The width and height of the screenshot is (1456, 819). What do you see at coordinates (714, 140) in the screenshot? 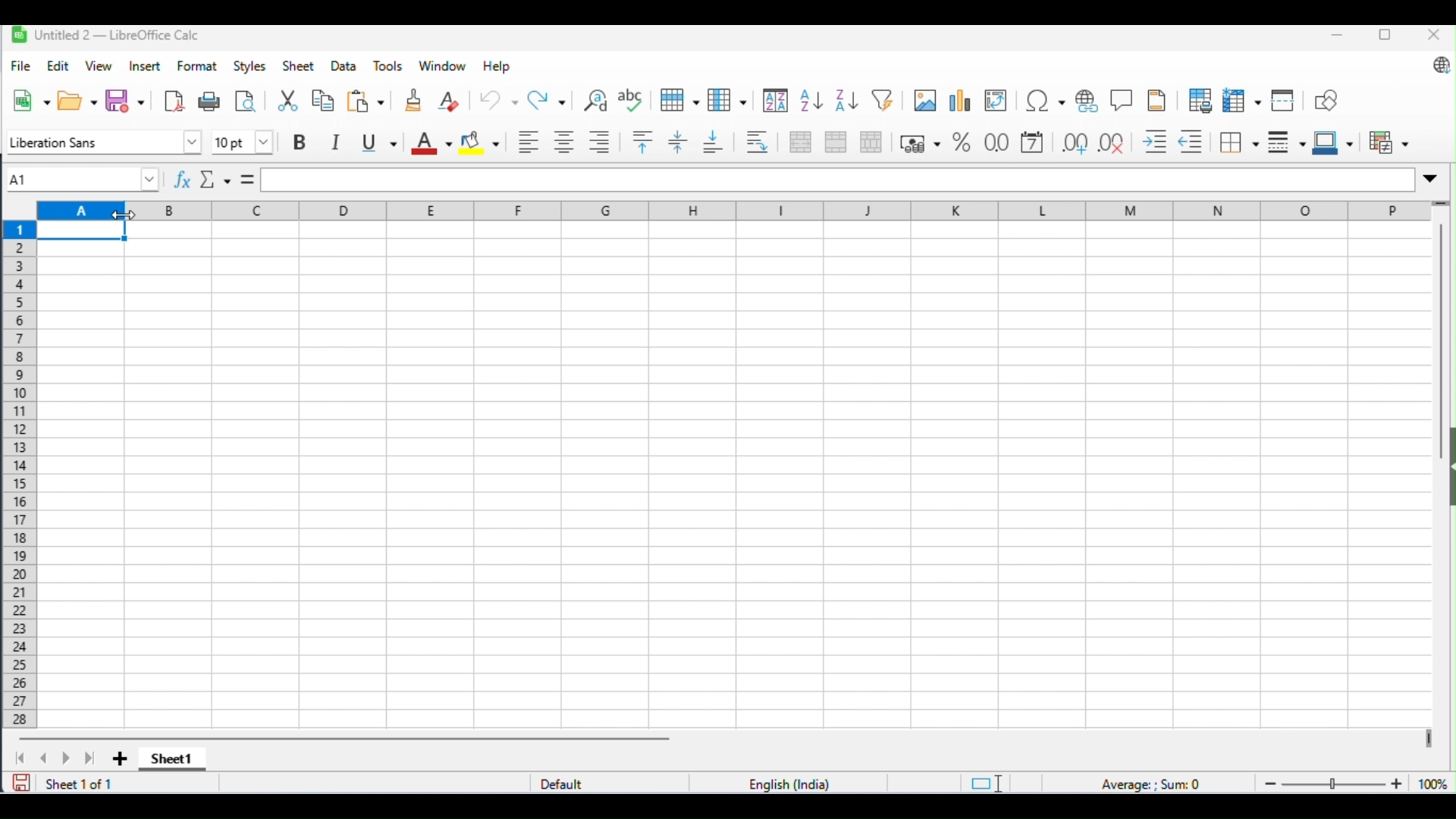
I see `lign to bottom` at bounding box center [714, 140].